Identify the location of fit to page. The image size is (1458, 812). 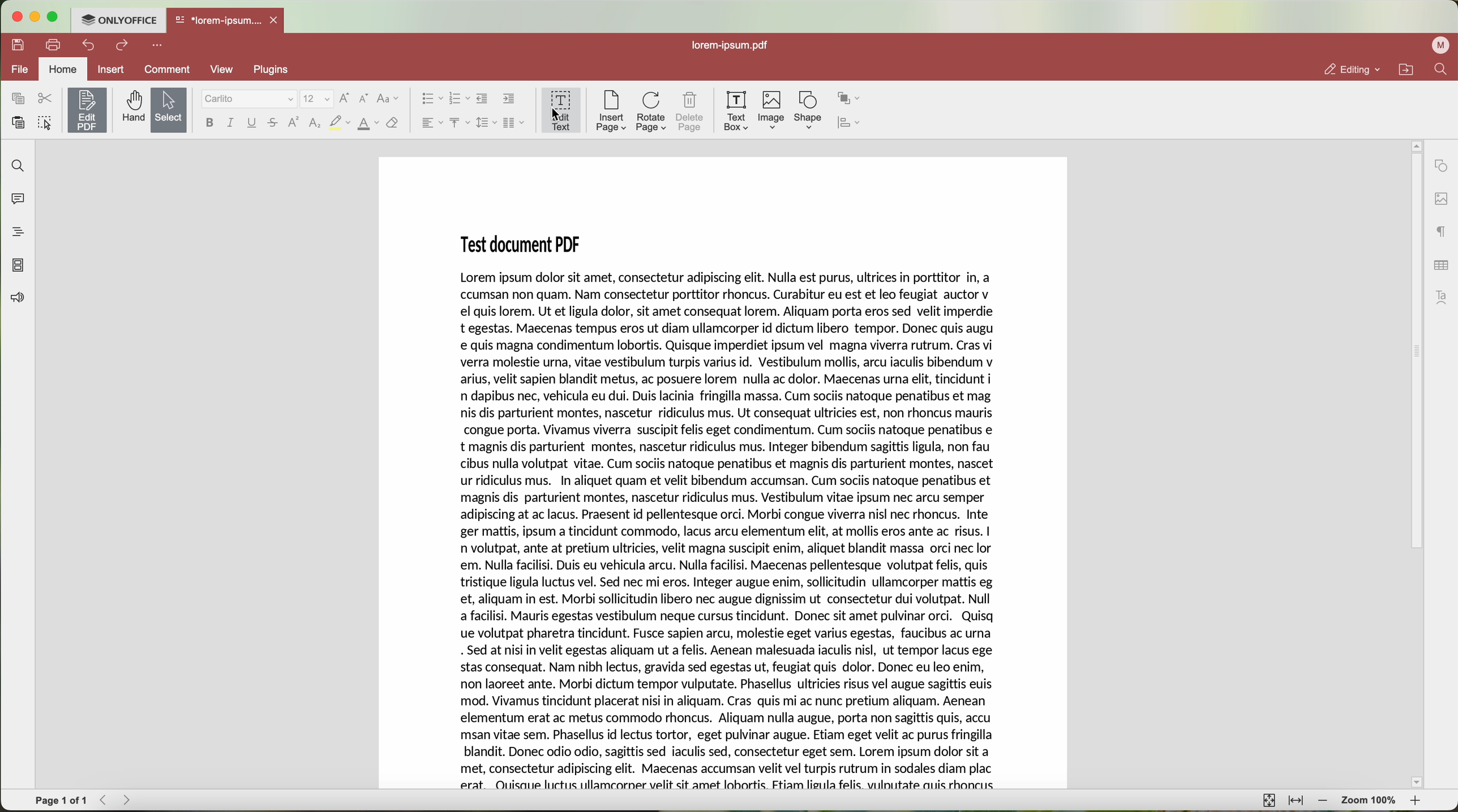
(1268, 801).